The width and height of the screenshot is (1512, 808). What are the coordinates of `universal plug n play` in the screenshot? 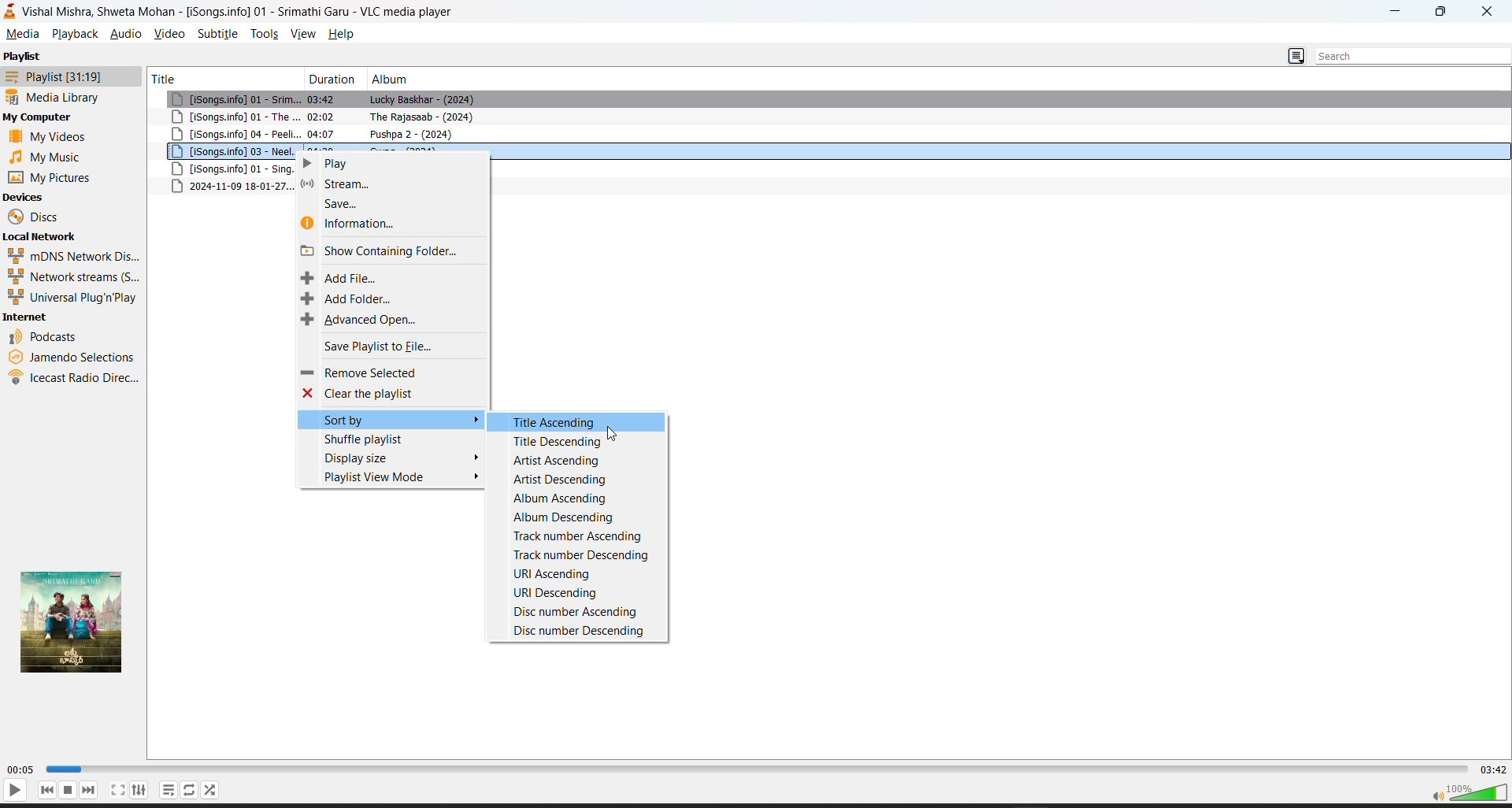 It's located at (73, 297).